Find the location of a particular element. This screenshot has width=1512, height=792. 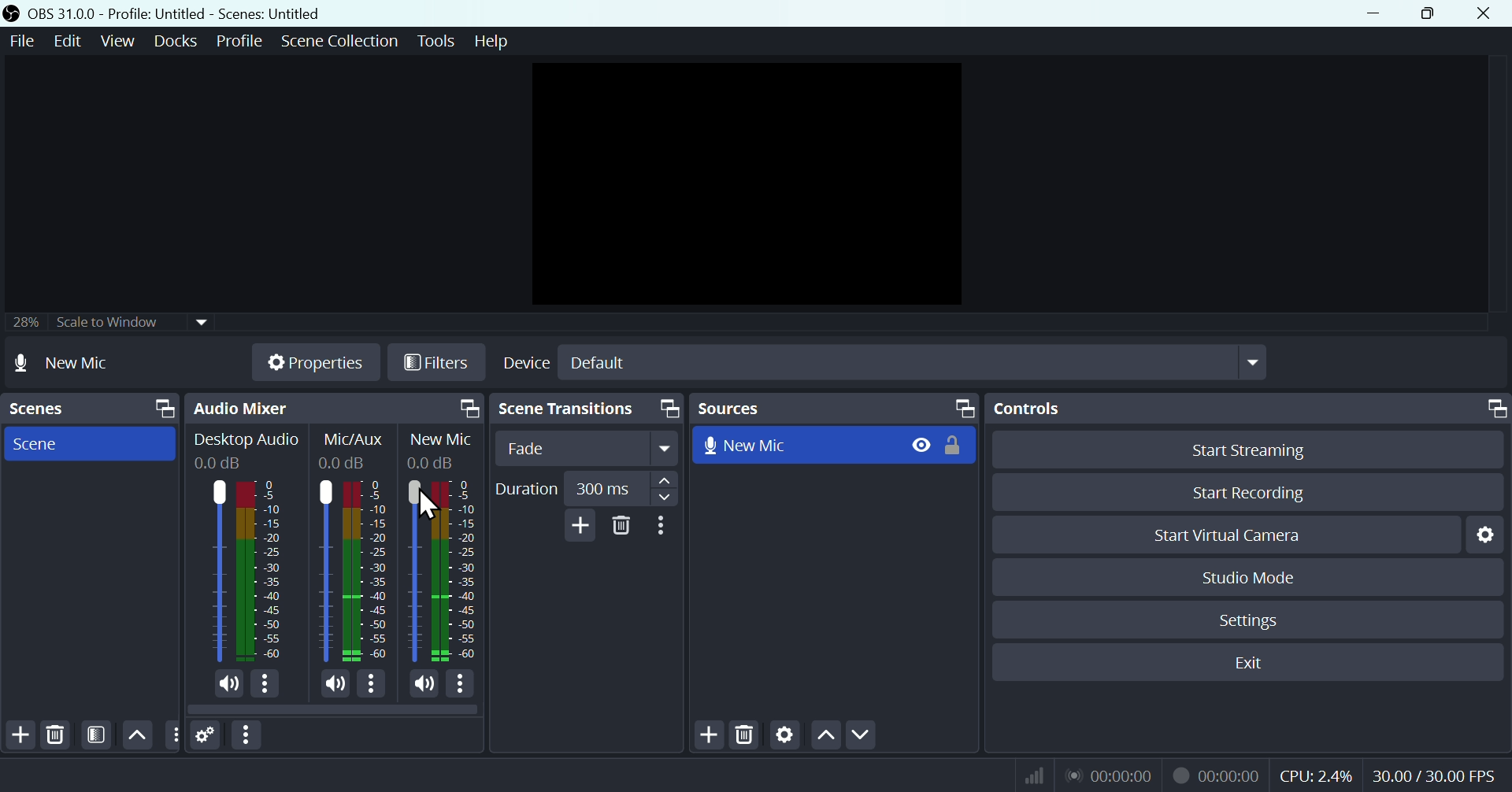

fade is located at coordinates (588, 449).